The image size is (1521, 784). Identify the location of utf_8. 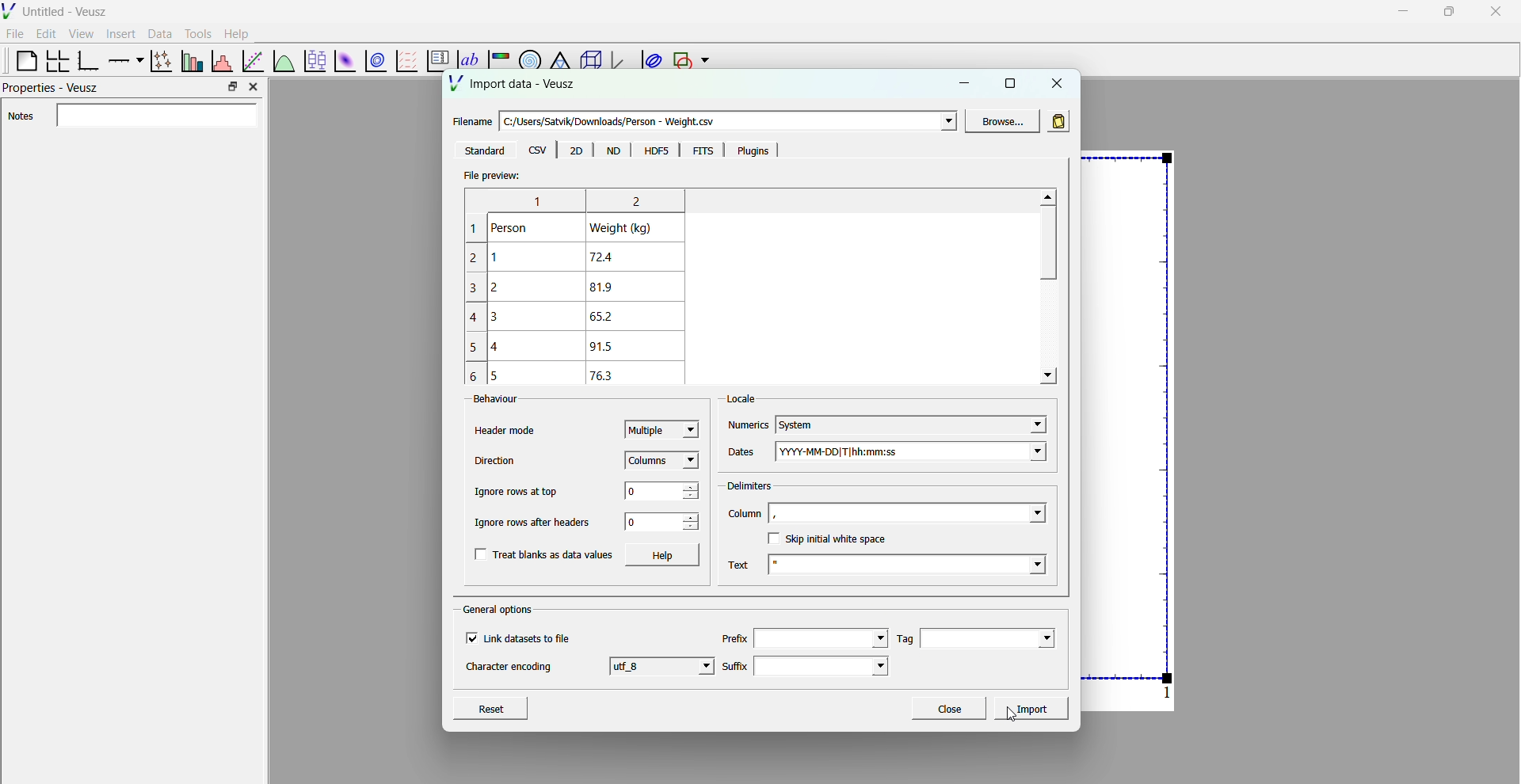
(663, 665).